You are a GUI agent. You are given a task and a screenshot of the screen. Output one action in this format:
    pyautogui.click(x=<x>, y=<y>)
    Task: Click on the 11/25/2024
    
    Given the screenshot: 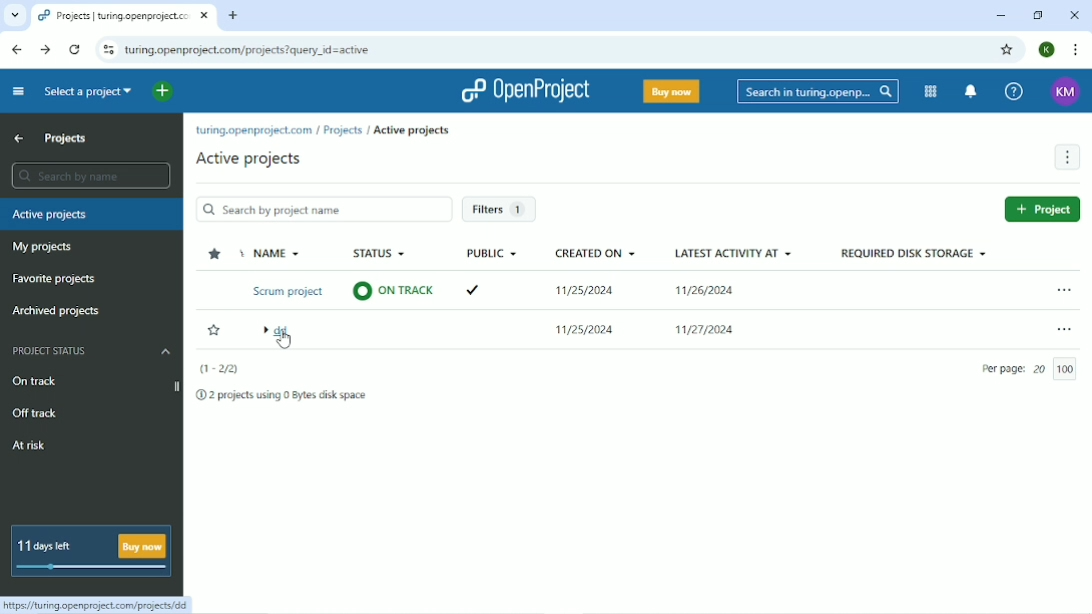 What is the action you would take?
    pyautogui.click(x=588, y=330)
    